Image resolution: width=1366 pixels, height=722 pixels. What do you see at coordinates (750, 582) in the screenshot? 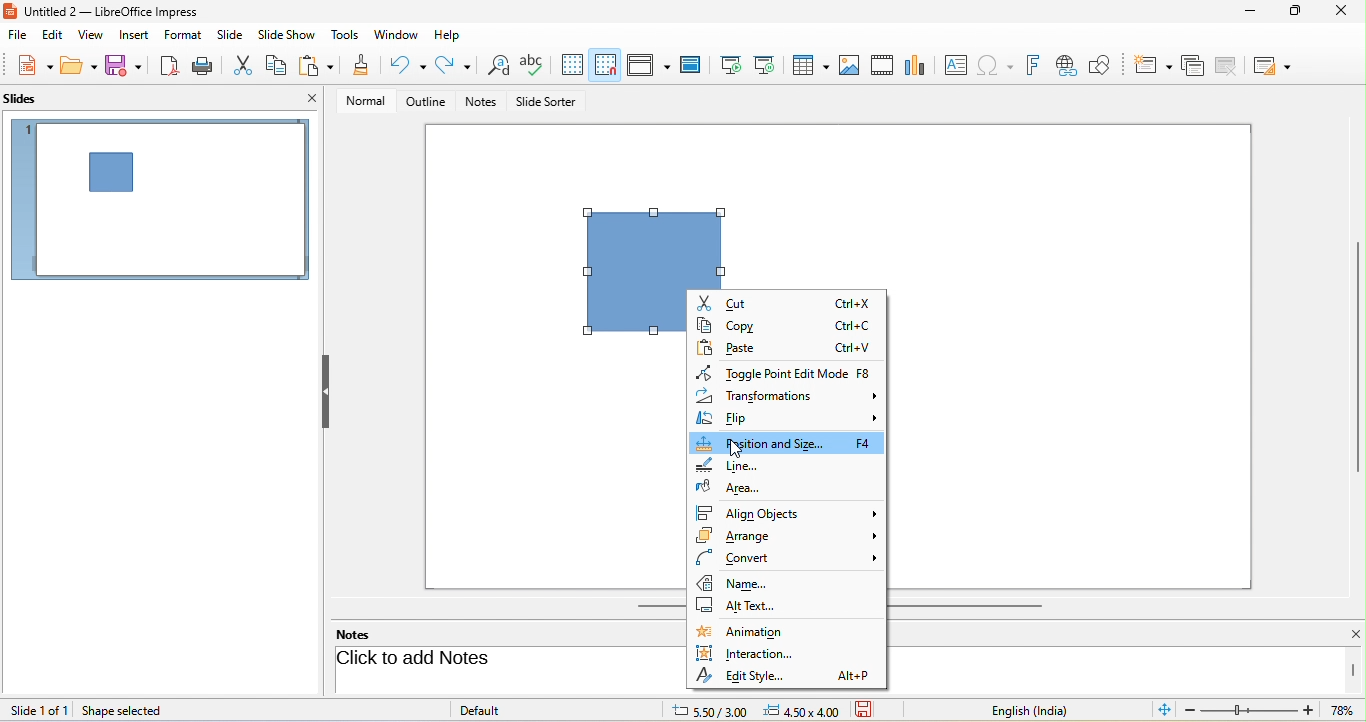
I see `name` at bounding box center [750, 582].